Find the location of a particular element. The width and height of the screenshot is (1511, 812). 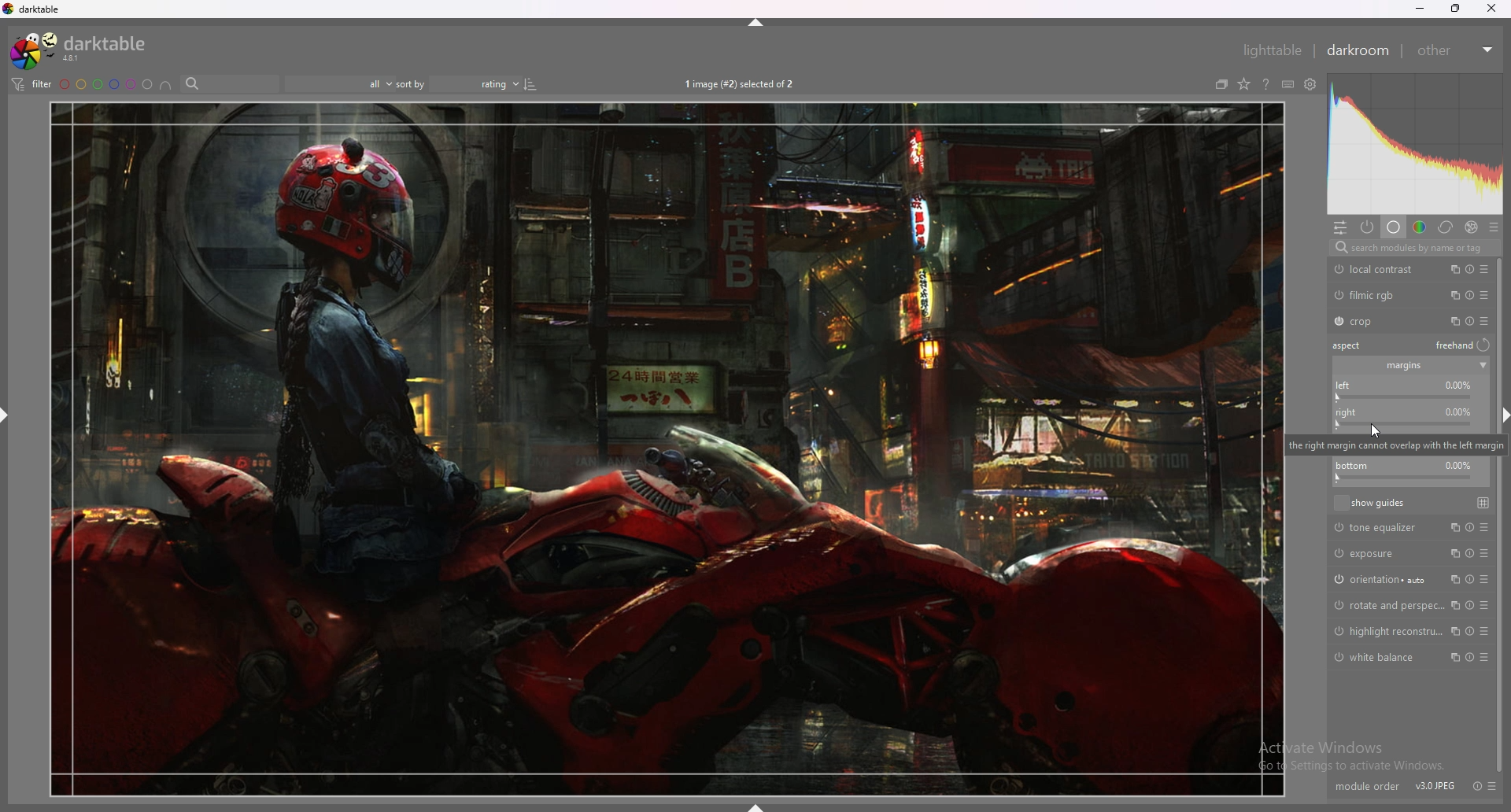

change type of overlays is located at coordinates (1243, 84).